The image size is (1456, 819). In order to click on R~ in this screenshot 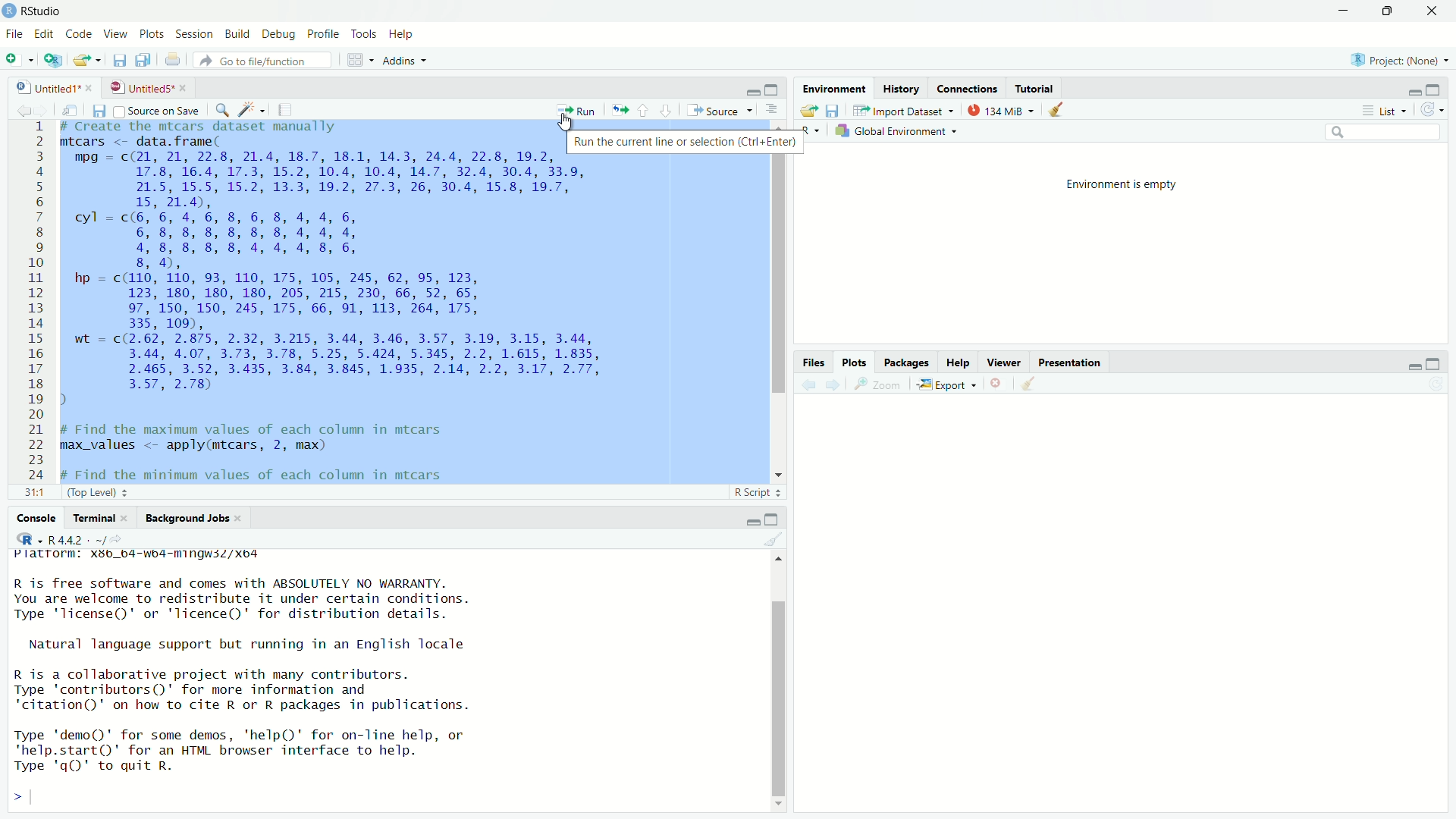, I will do `click(808, 129)`.